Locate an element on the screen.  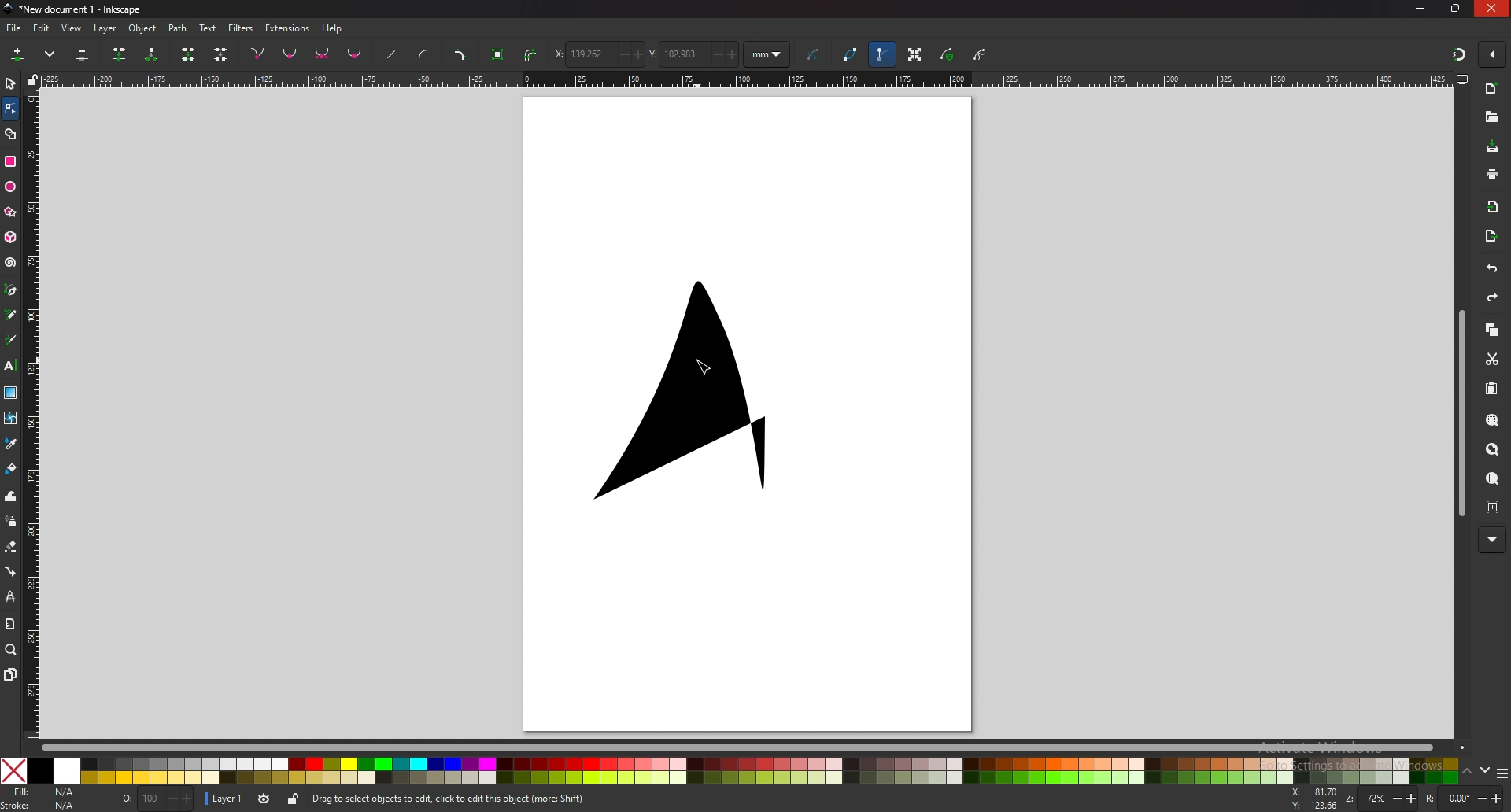
lpe is located at coordinates (10, 596).